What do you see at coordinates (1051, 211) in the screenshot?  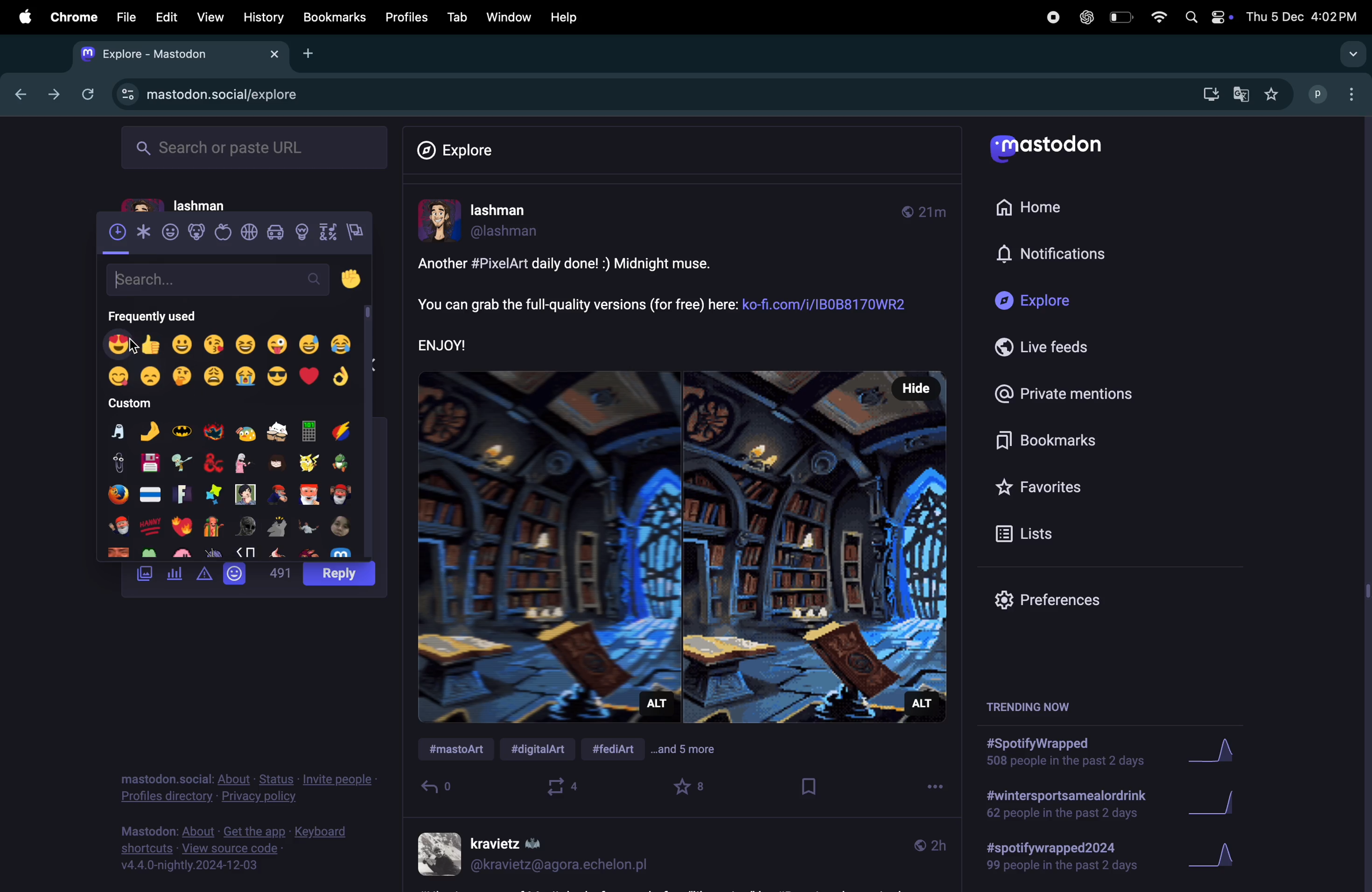 I see `Home` at bounding box center [1051, 211].